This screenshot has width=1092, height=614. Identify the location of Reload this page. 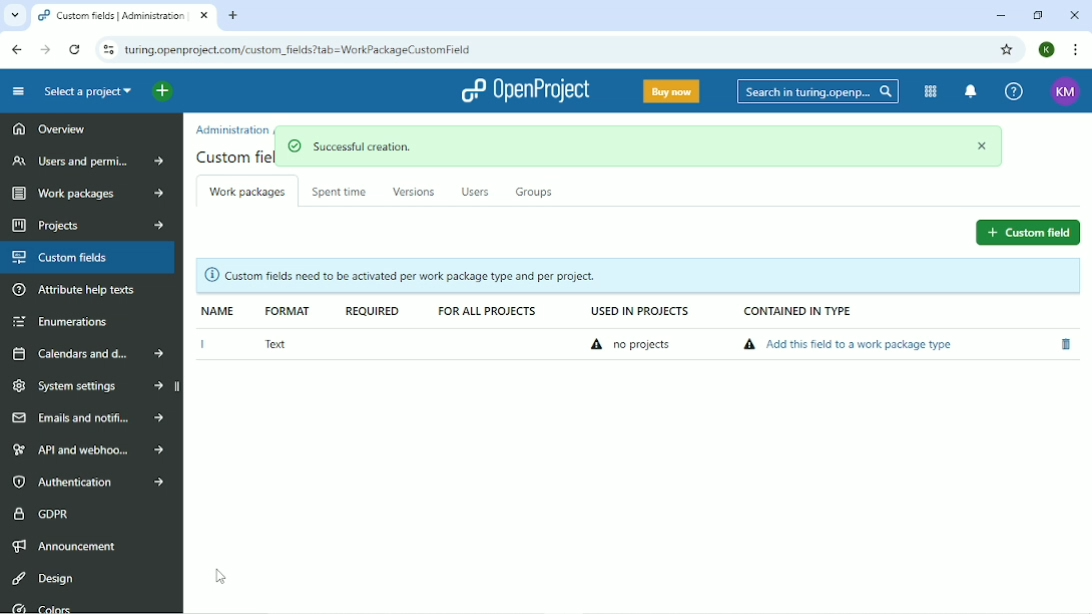
(76, 49).